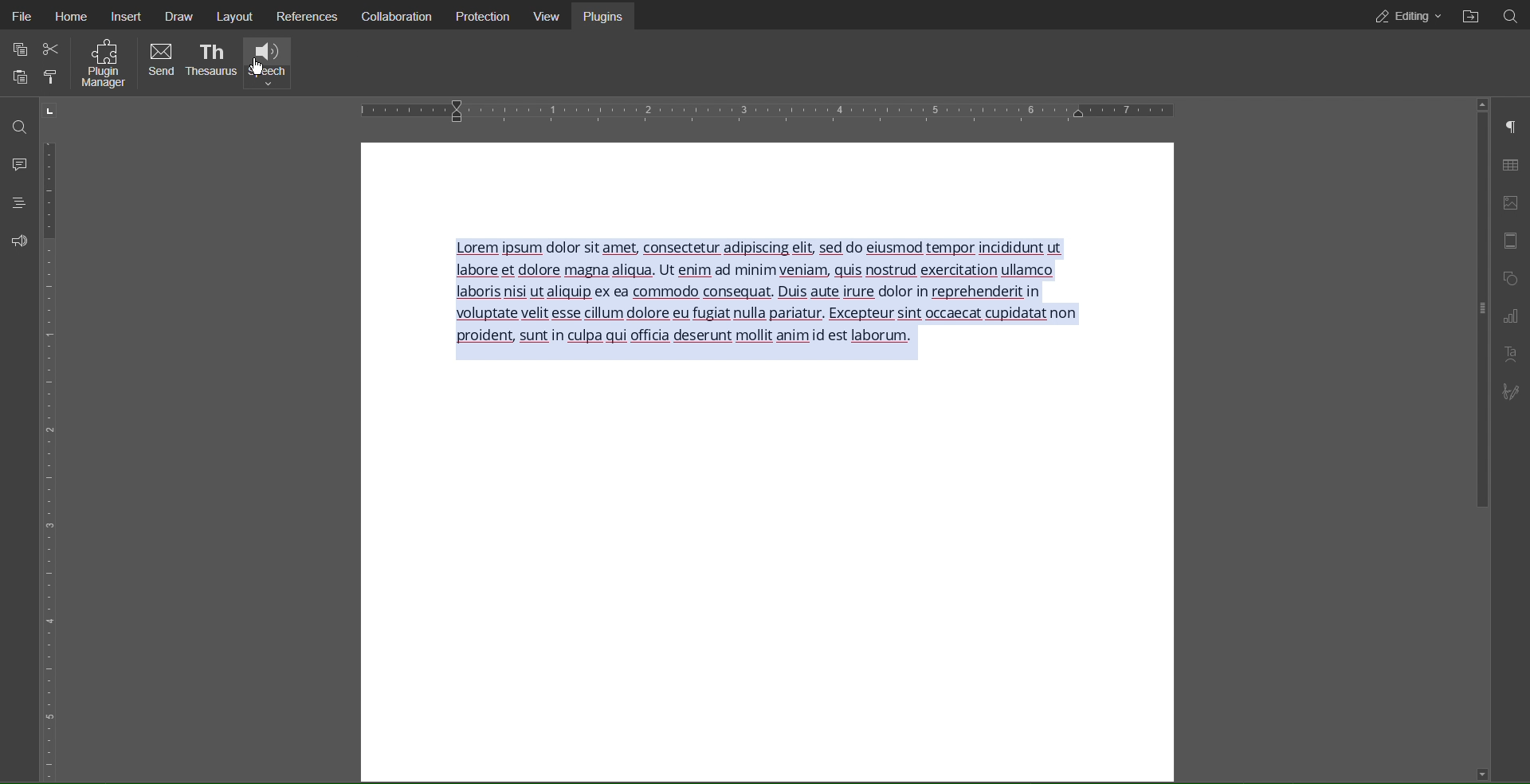 The width and height of the screenshot is (1530, 784). I want to click on References, so click(312, 18).